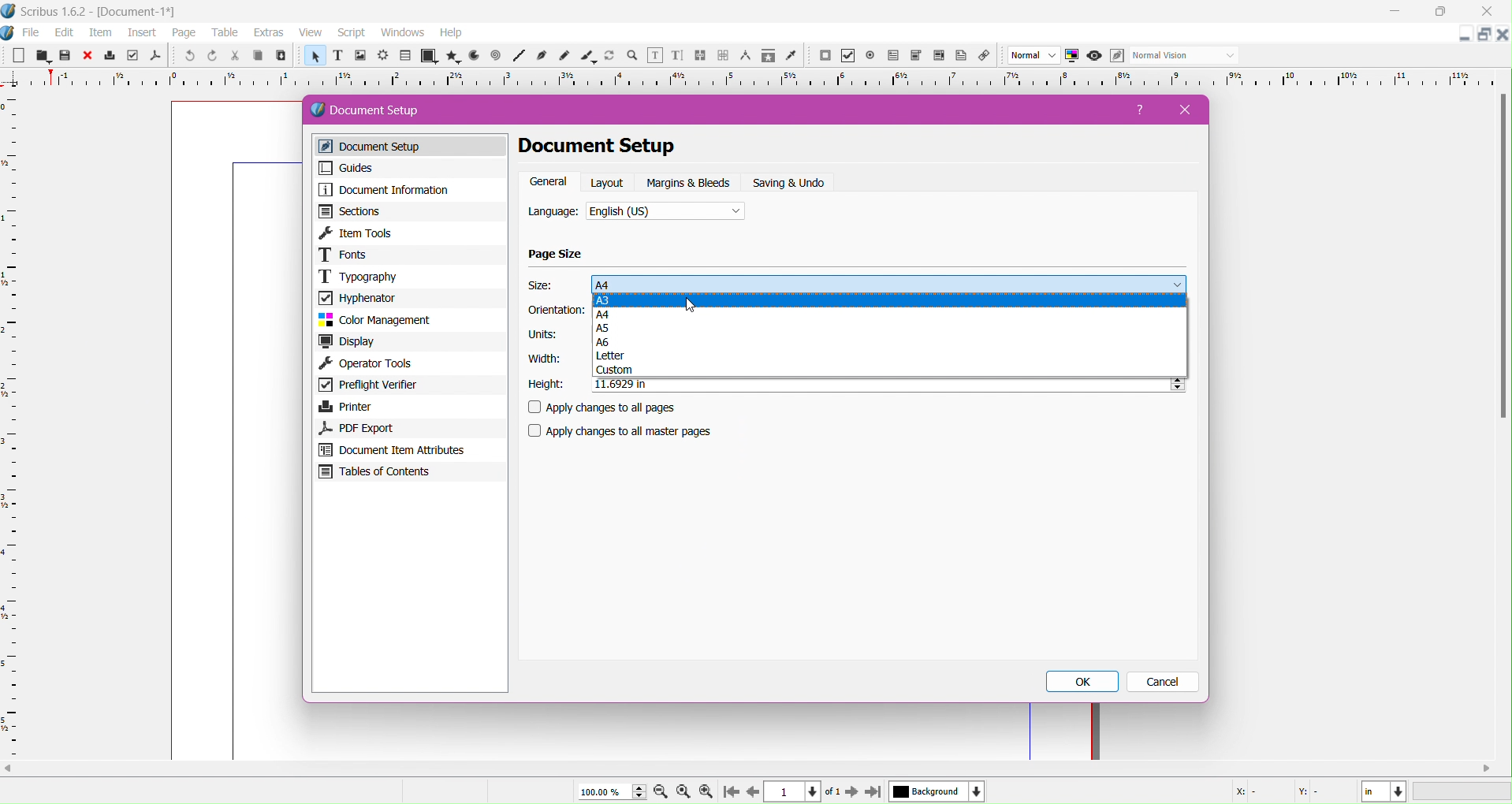 This screenshot has width=1512, height=804. Describe the element at coordinates (449, 56) in the screenshot. I see `polygon` at that location.